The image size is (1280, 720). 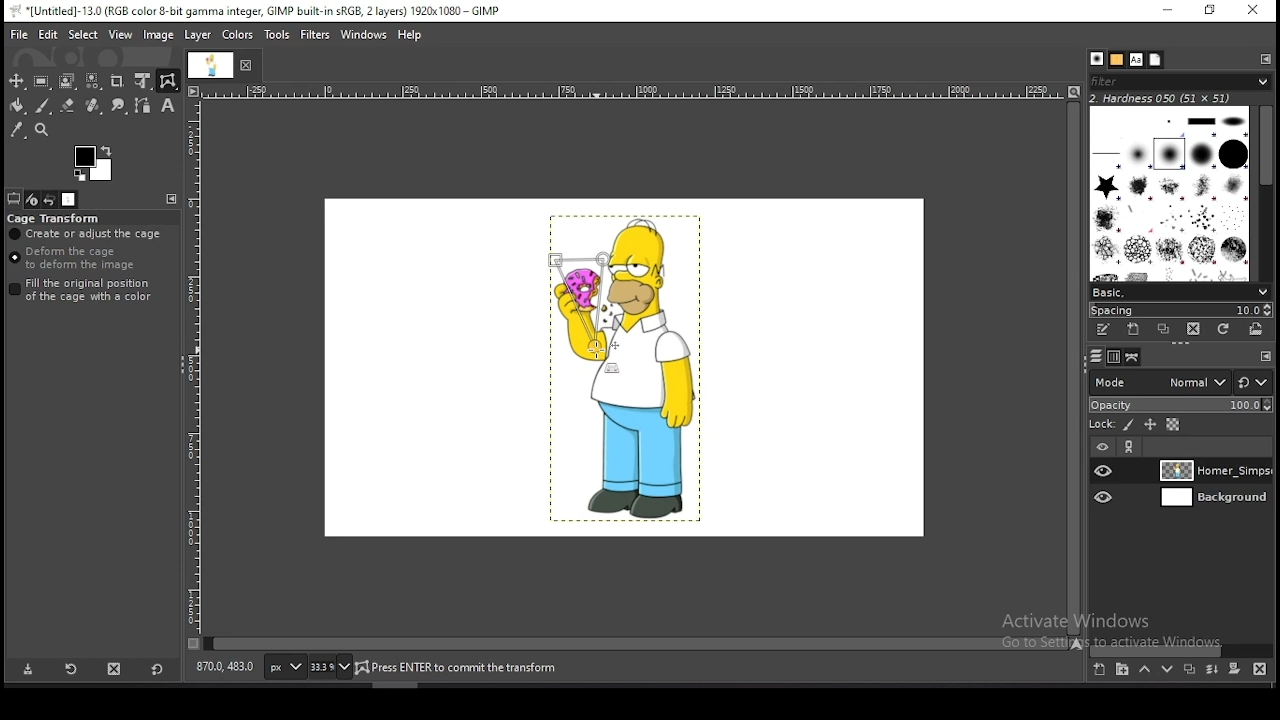 I want to click on filters, so click(x=316, y=35).